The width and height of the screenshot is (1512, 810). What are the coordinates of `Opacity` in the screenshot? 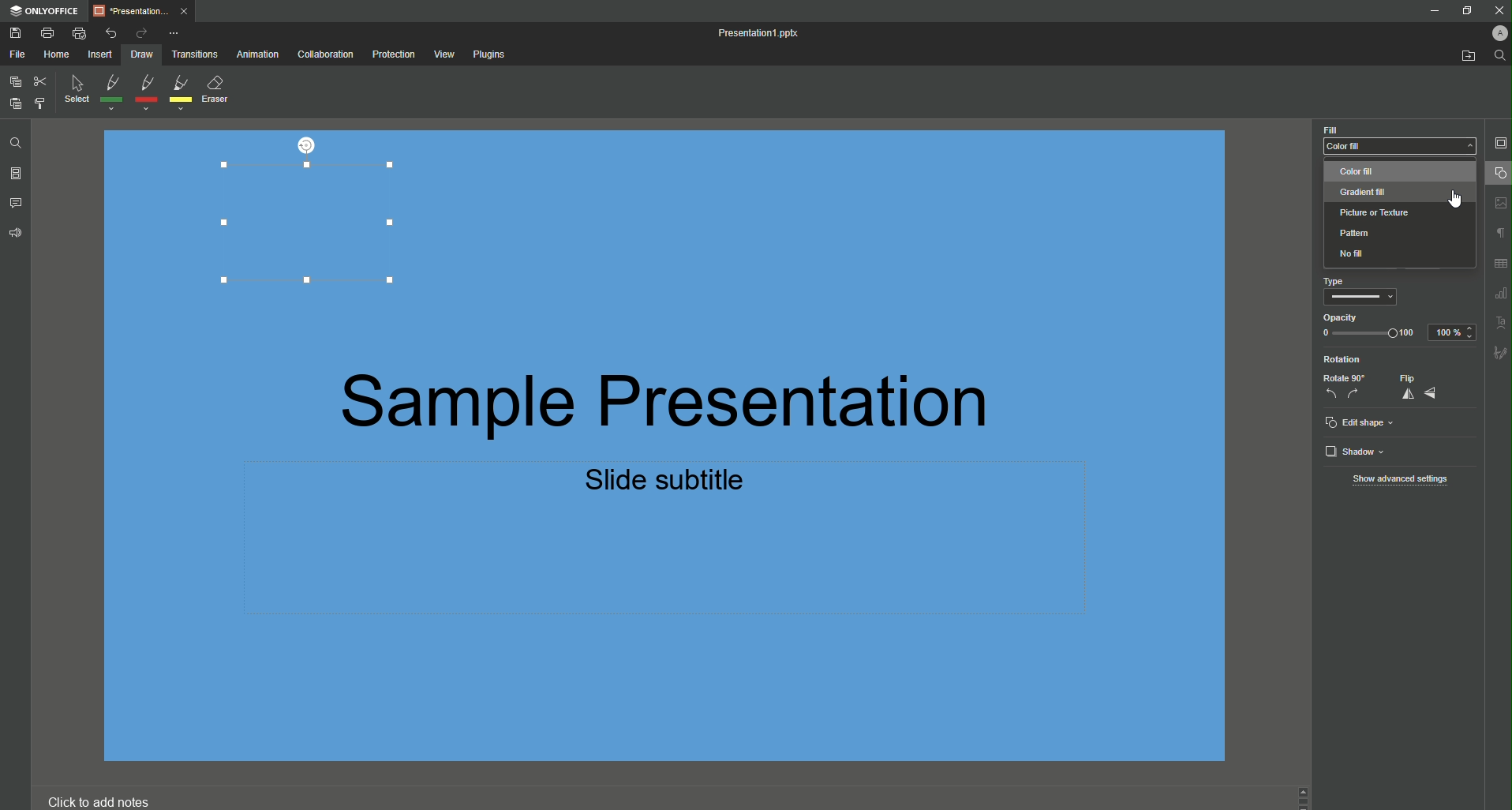 It's located at (1369, 327).